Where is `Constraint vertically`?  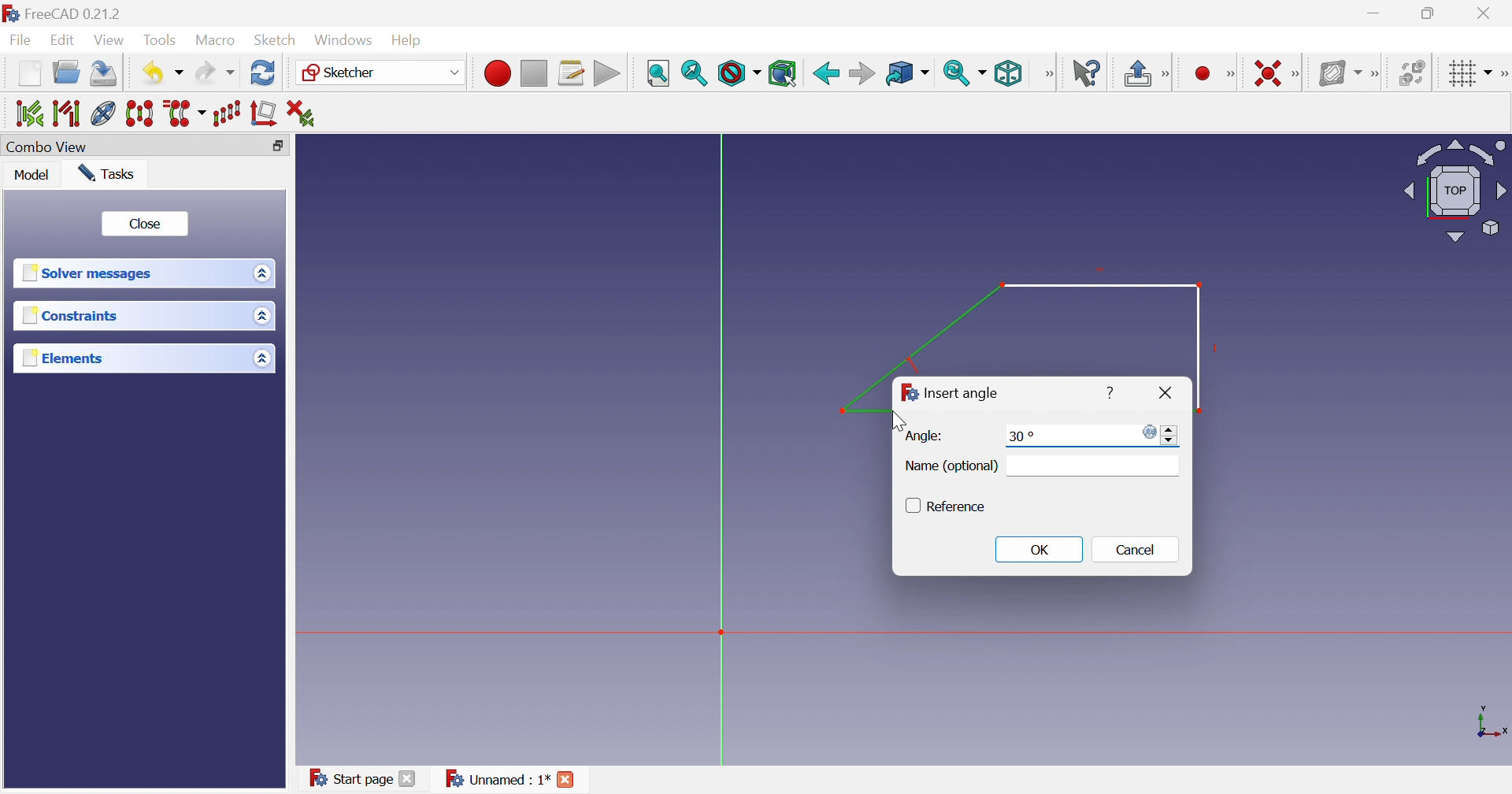
Constraint vertically is located at coordinates (1207, 72).